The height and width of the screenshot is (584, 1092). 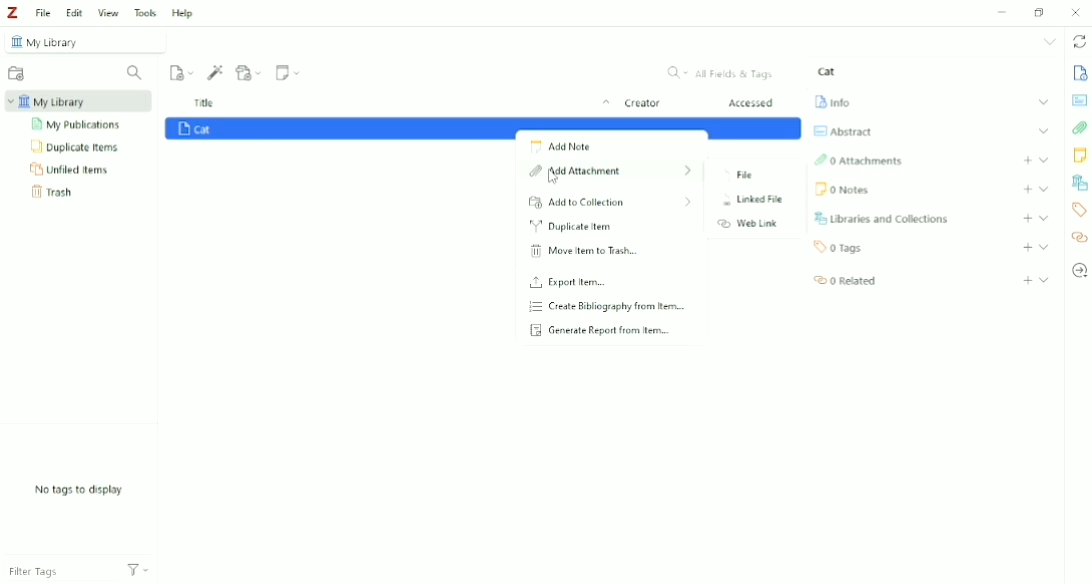 I want to click on Expand section, so click(x=1043, y=218).